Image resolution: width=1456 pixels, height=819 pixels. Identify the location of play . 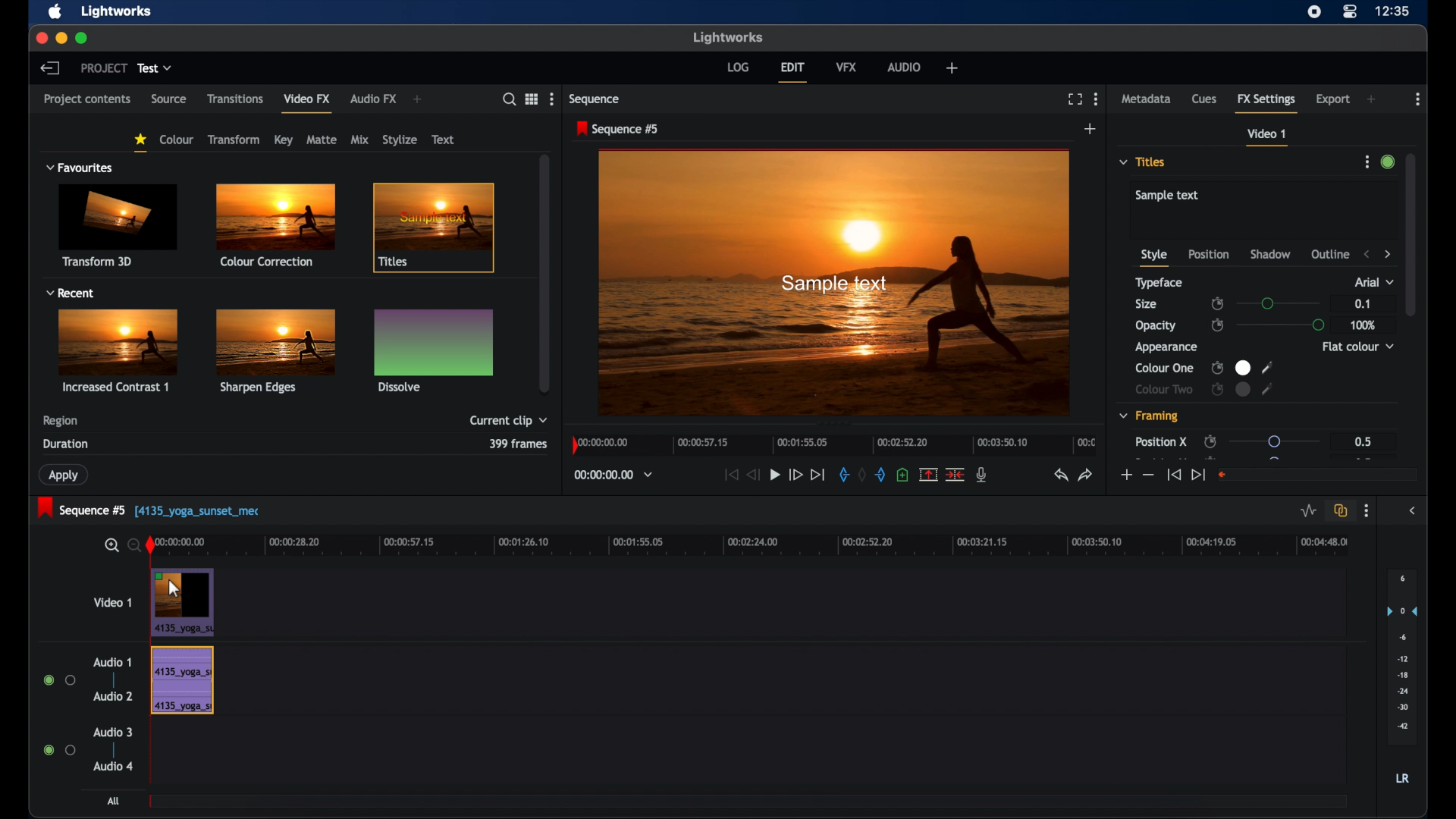
(775, 475).